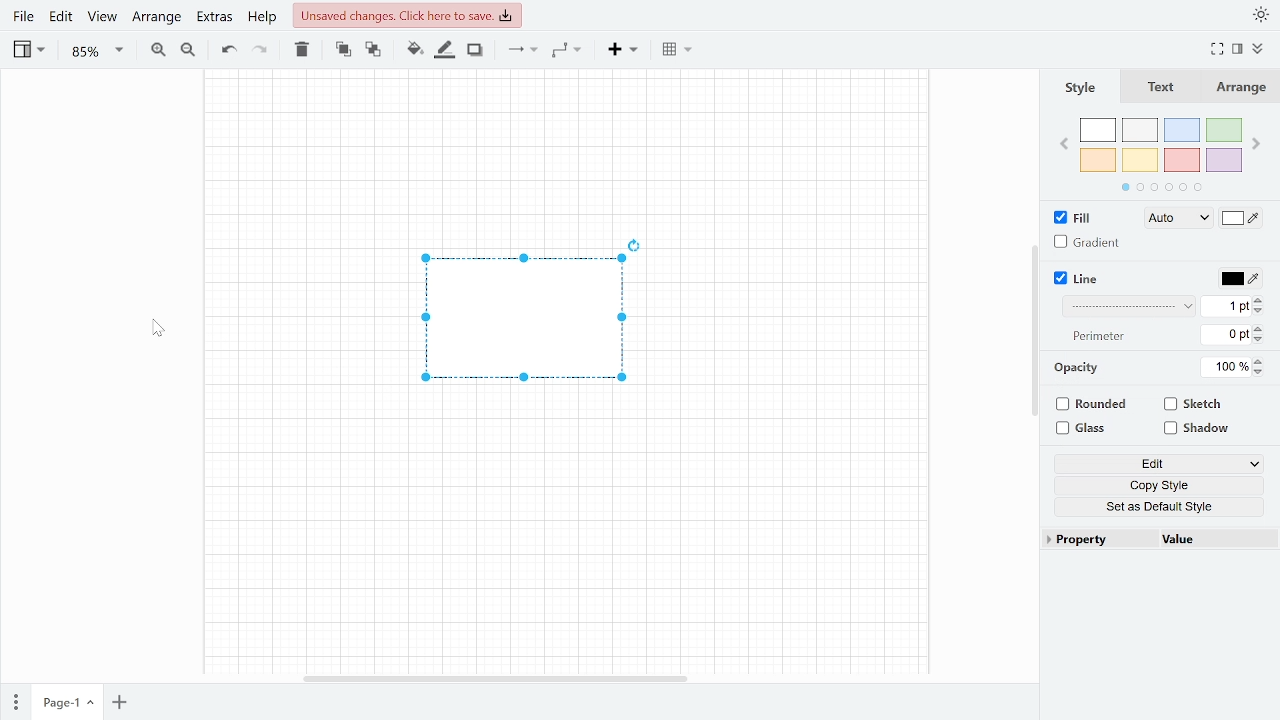 The height and width of the screenshot is (720, 1280). I want to click on Glass, so click(1090, 429).